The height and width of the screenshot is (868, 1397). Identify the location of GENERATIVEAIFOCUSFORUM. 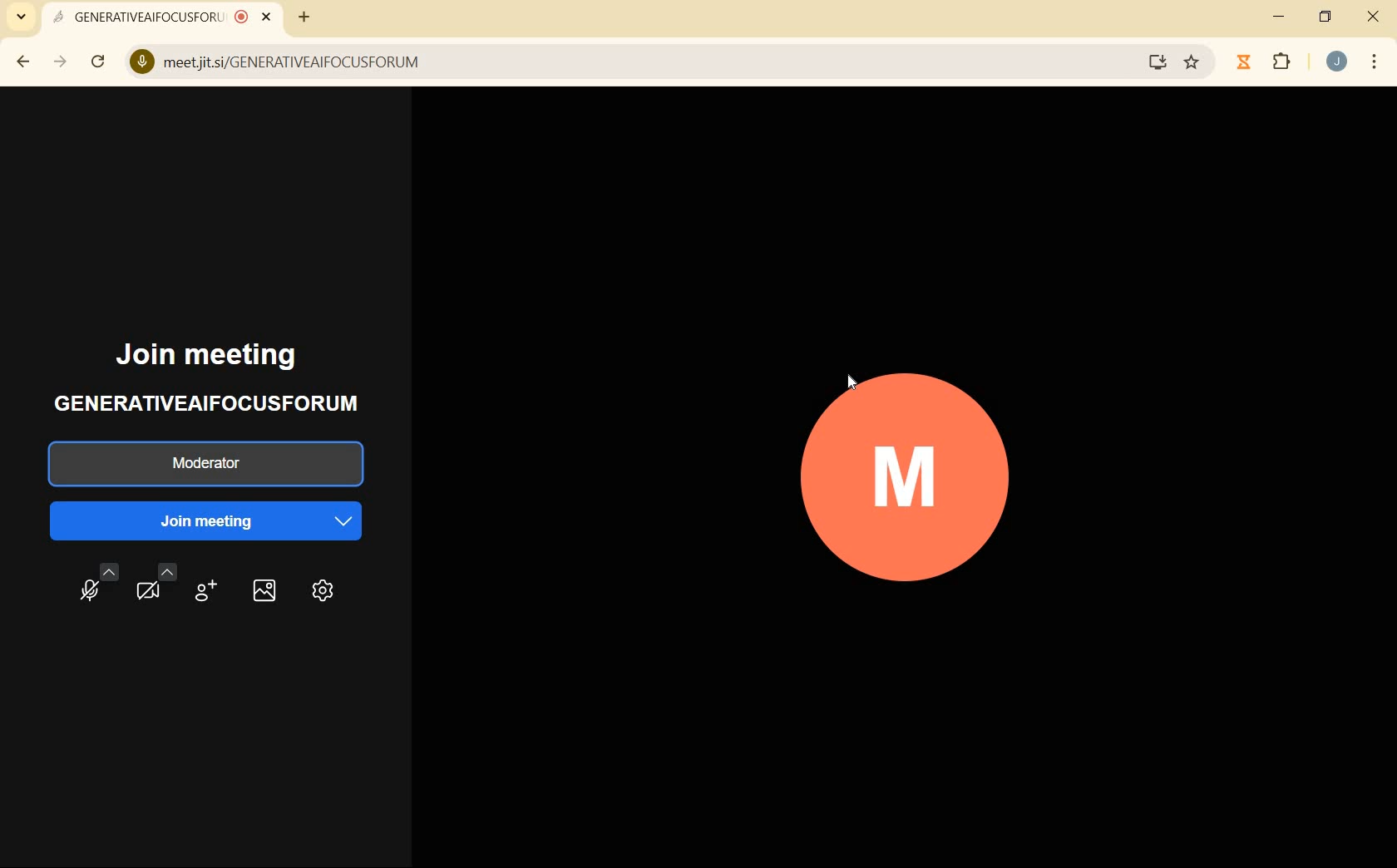
(223, 402).